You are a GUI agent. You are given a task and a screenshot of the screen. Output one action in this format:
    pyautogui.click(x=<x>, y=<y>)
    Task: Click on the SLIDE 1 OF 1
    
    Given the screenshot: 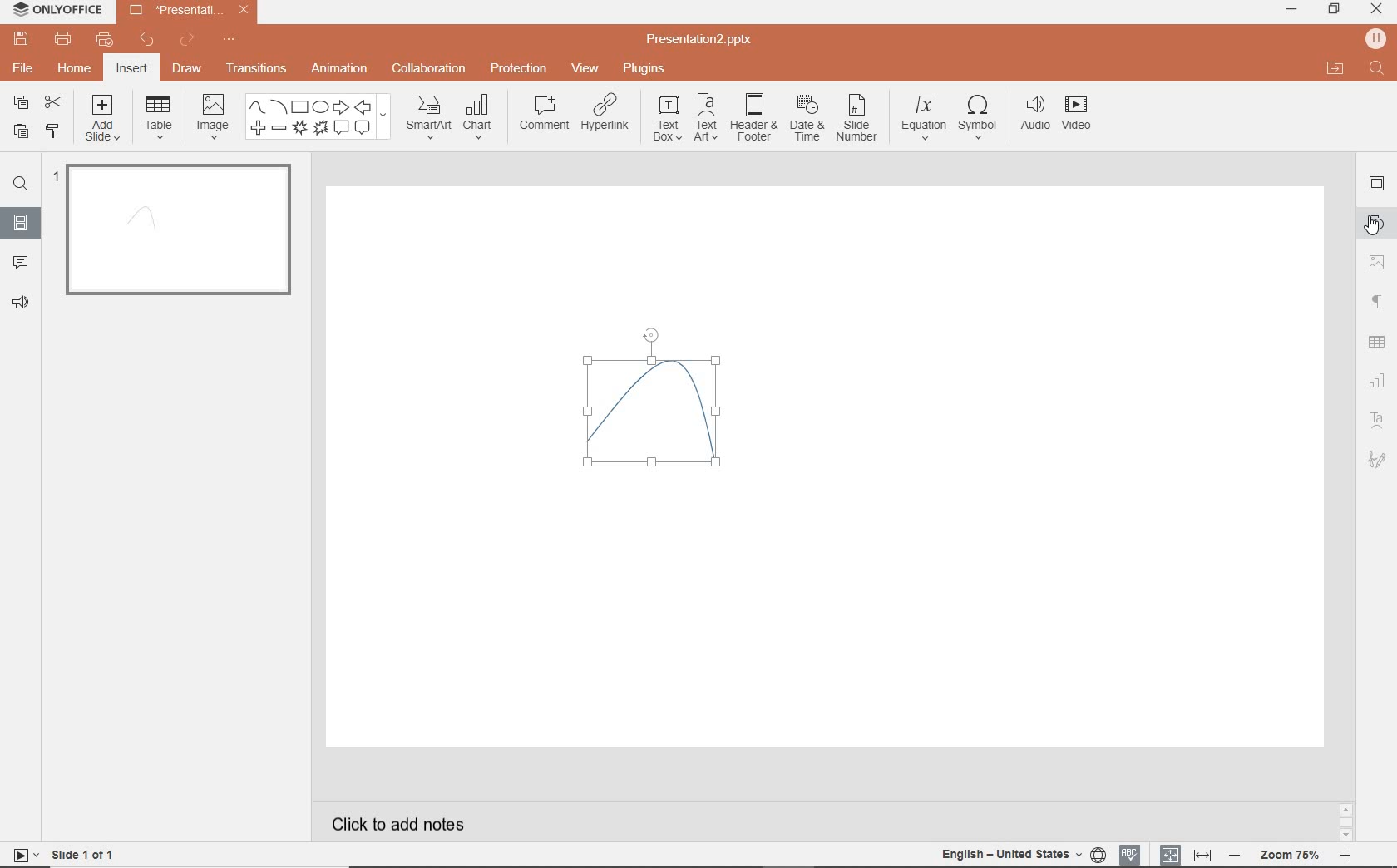 What is the action you would take?
    pyautogui.click(x=67, y=854)
    